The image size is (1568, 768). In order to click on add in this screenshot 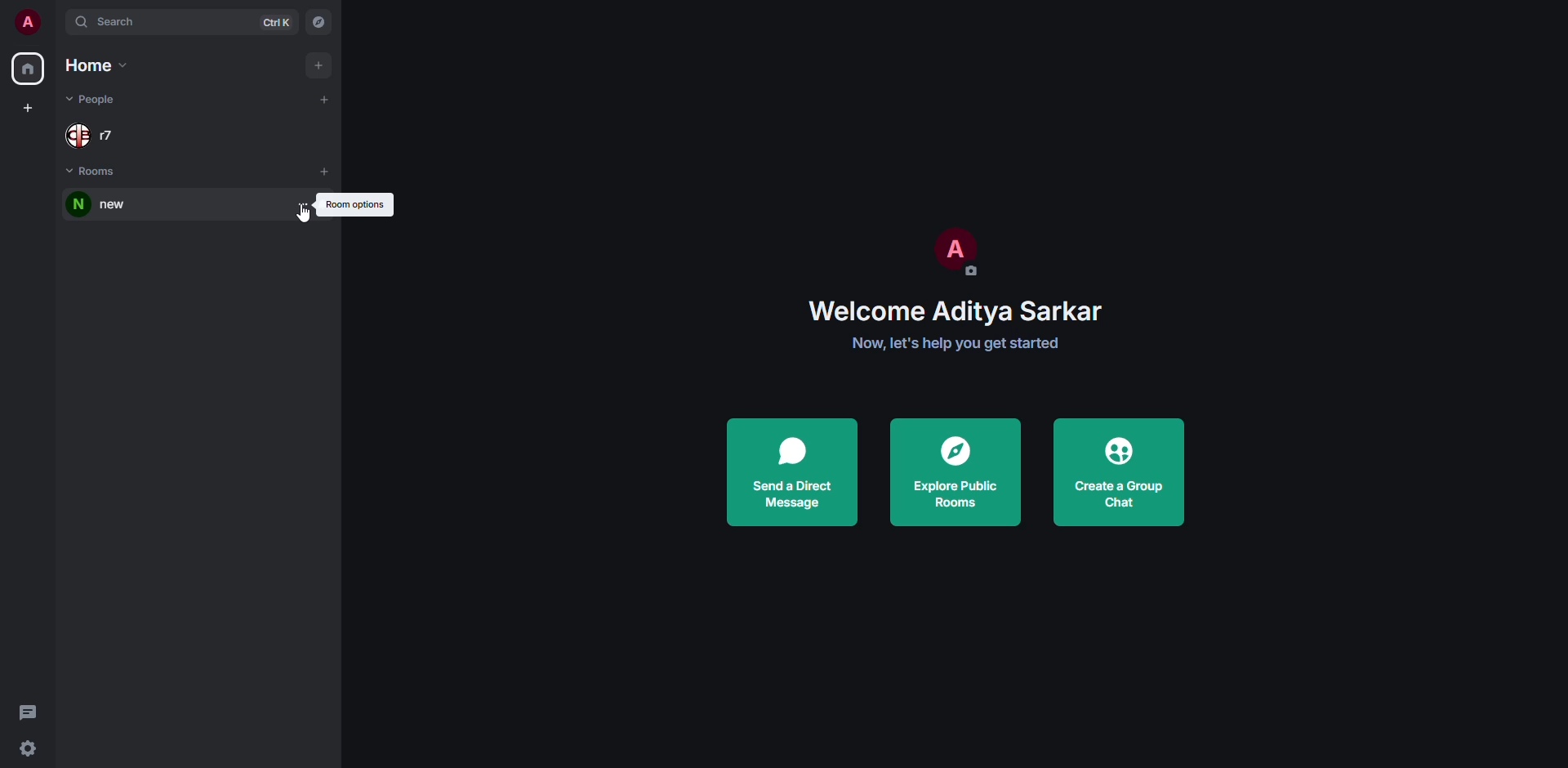, I will do `click(316, 65)`.